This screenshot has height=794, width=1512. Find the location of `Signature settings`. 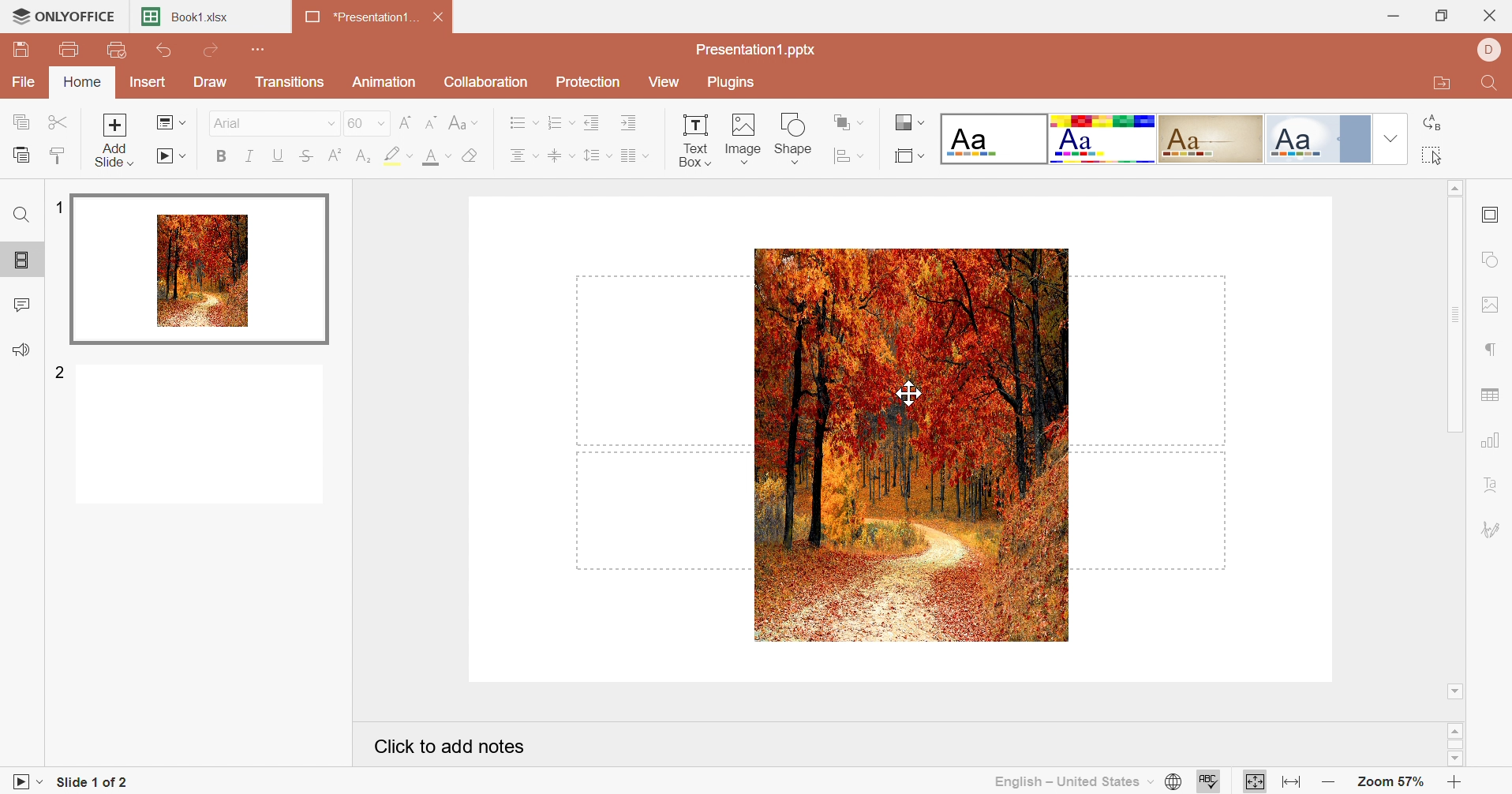

Signature settings is located at coordinates (1493, 530).